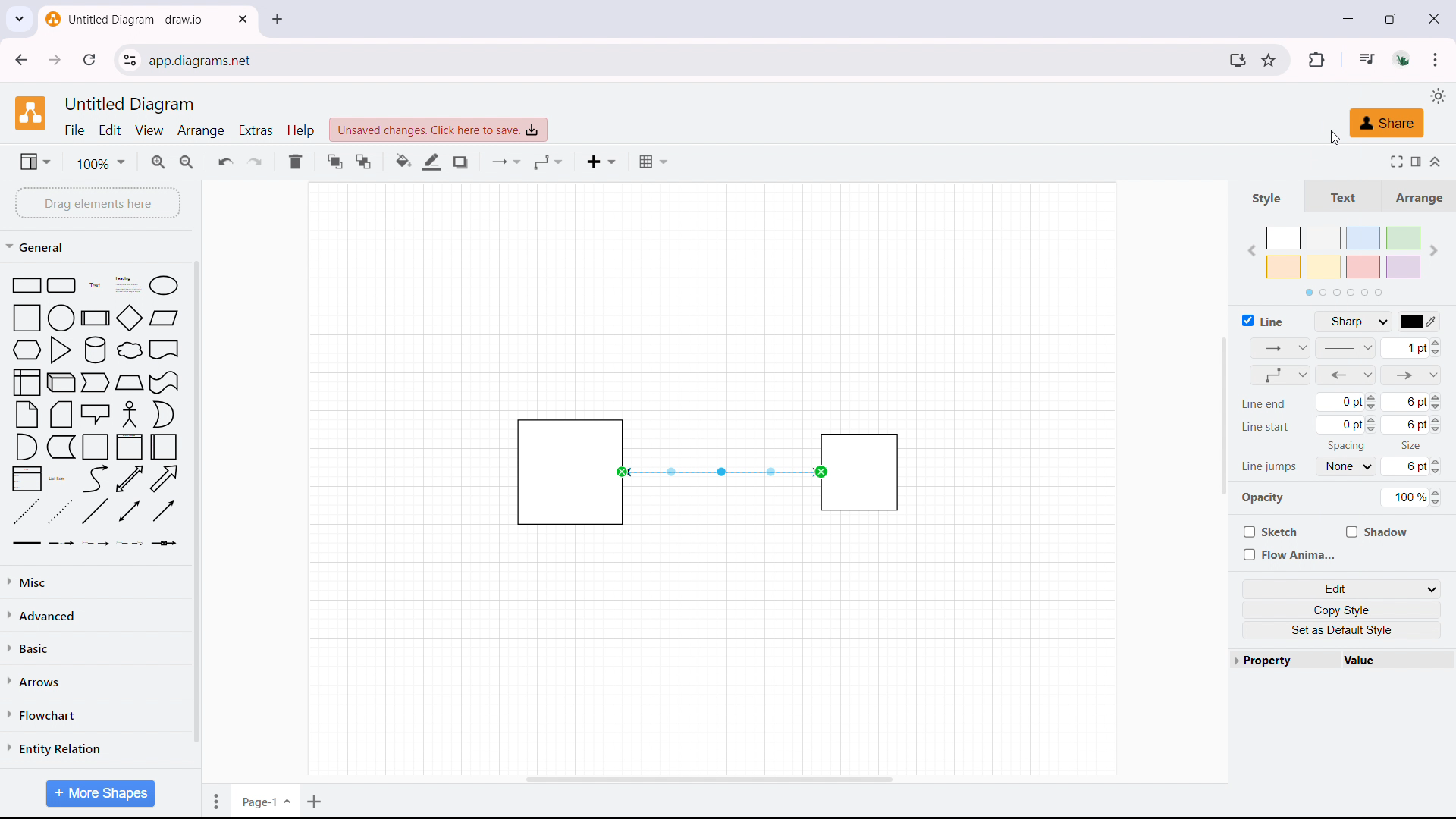 Image resolution: width=1456 pixels, height=819 pixels. What do you see at coordinates (438, 130) in the screenshot?
I see `click to save` at bounding box center [438, 130].